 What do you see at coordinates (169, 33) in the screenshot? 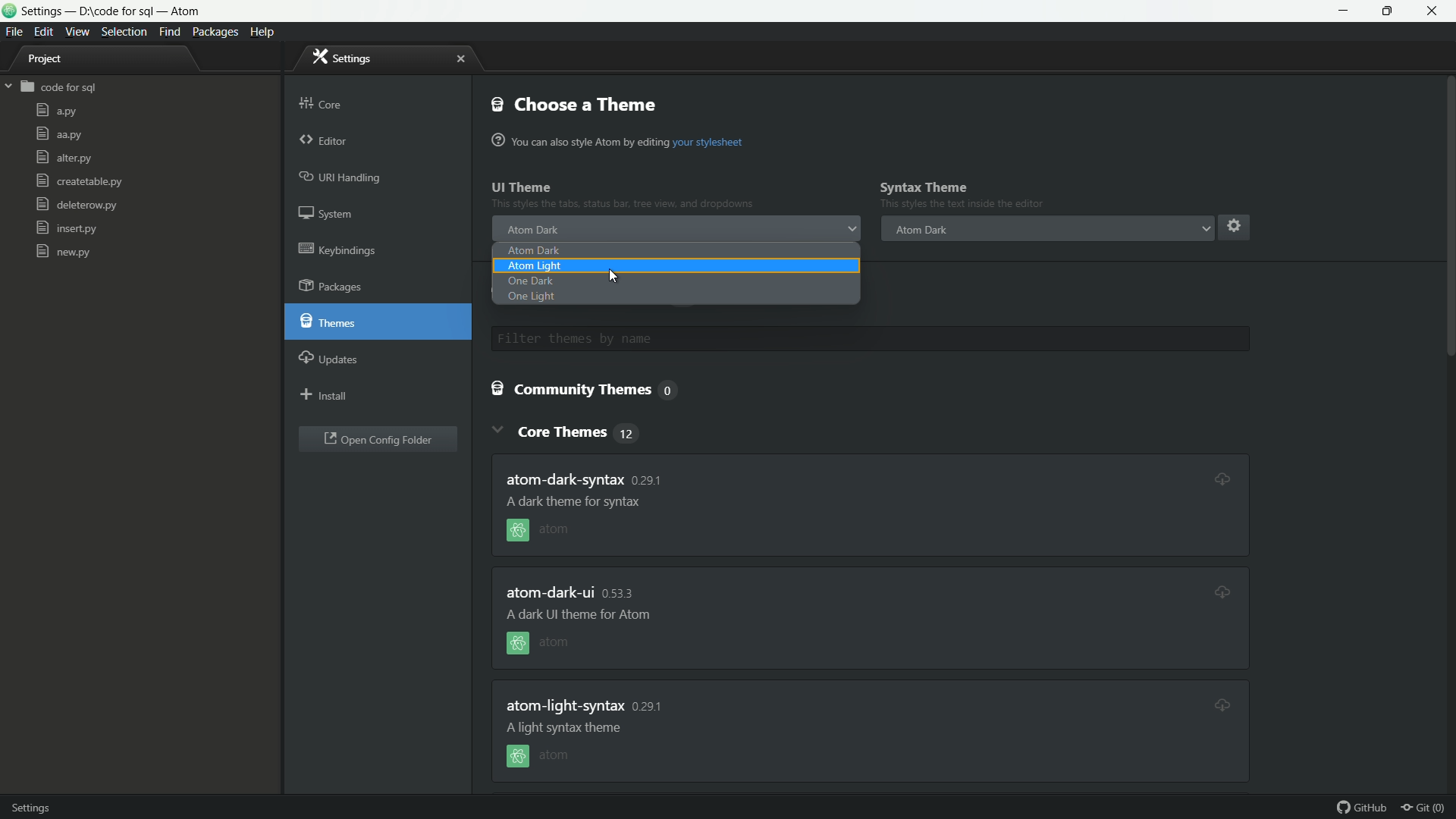
I see `find menu` at bounding box center [169, 33].